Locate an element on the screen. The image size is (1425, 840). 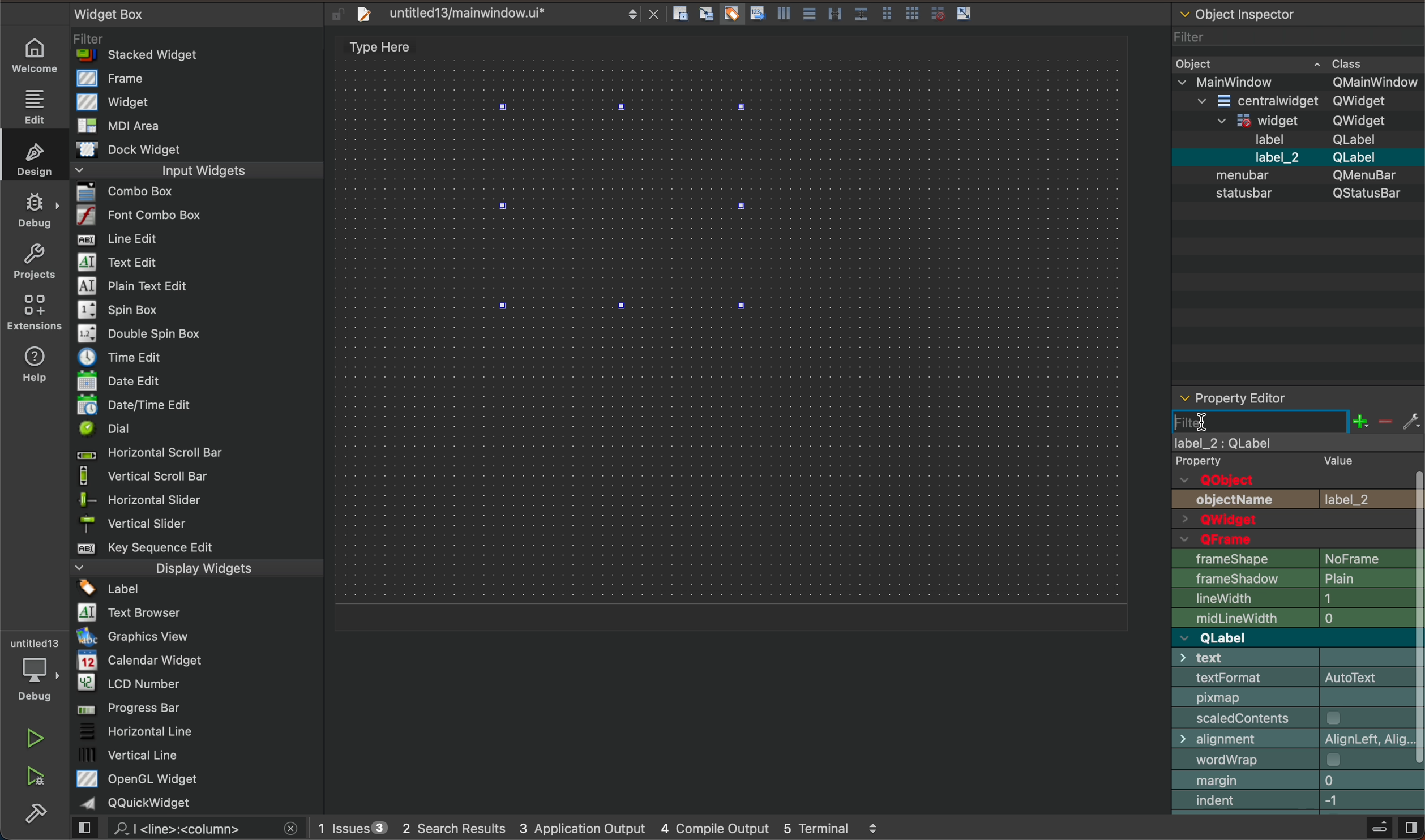
 is located at coordinates (1296, 679).